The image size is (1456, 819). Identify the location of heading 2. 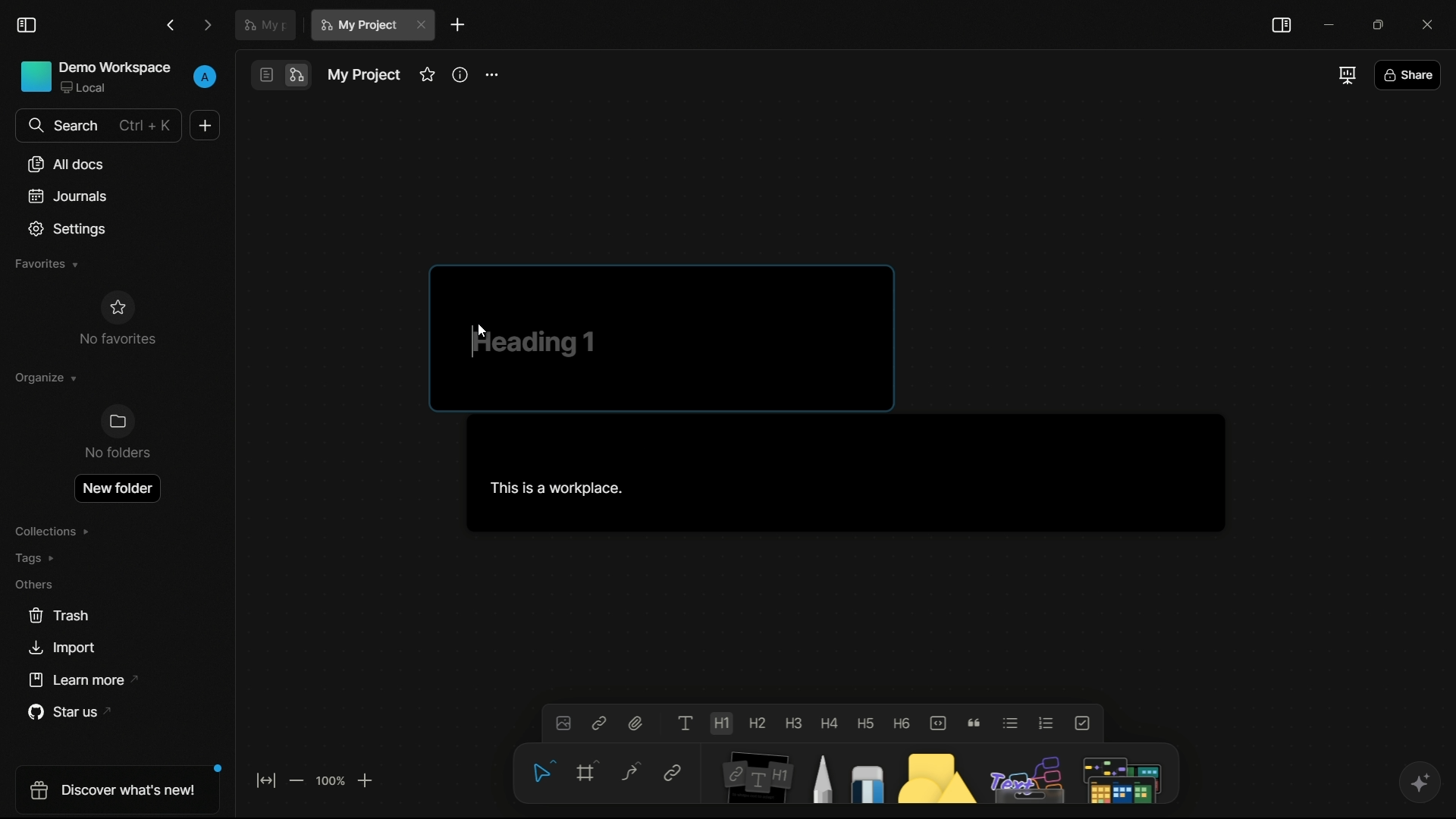
(757, 721).